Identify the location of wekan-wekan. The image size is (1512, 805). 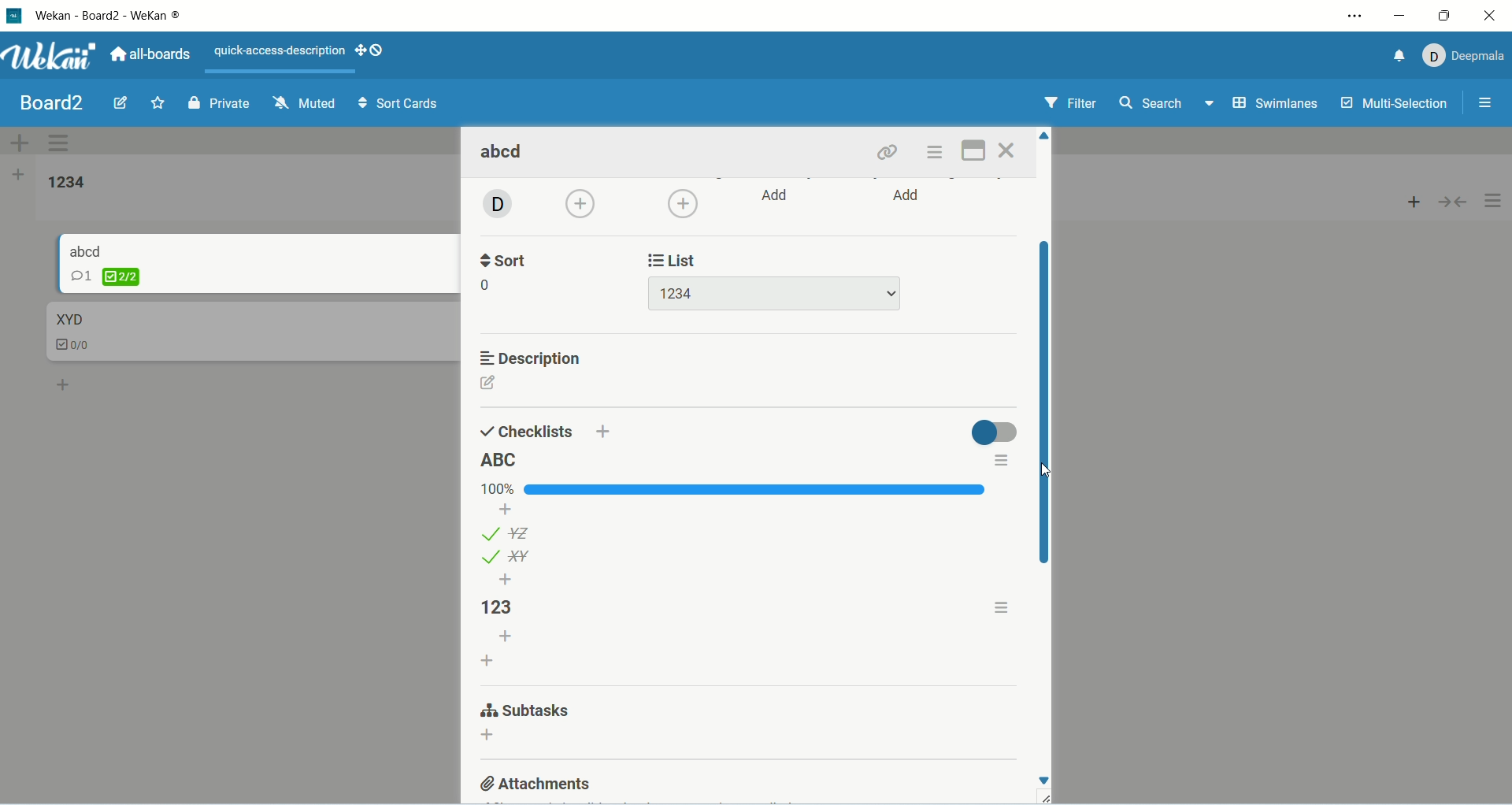
(109, 17).